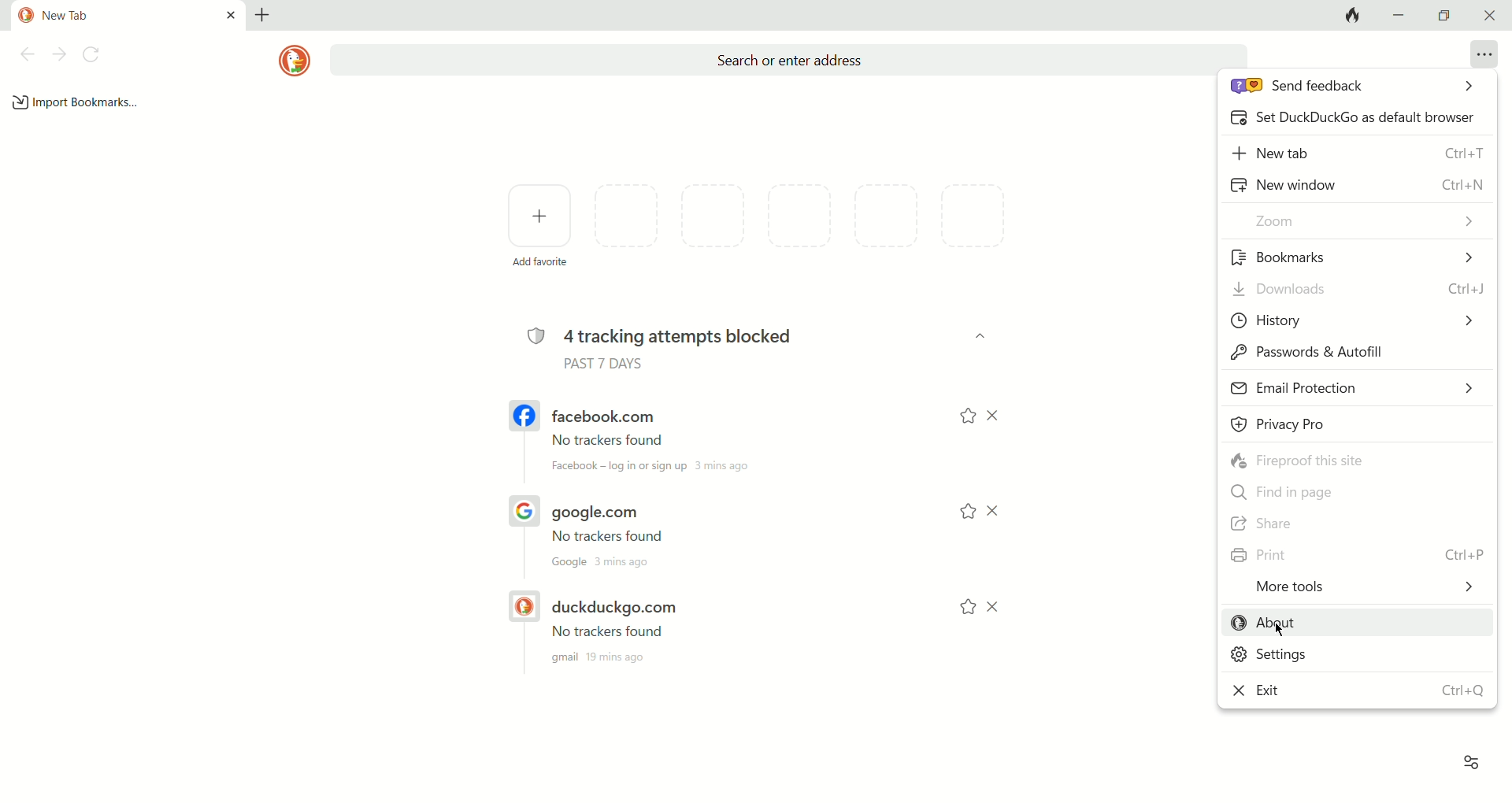 This screenshot has width=1512, height=803. What do you see at coordinates (606, 365) in the screenshot?
I see `PAST 7 DAYS` at bounding box center [606, 365].